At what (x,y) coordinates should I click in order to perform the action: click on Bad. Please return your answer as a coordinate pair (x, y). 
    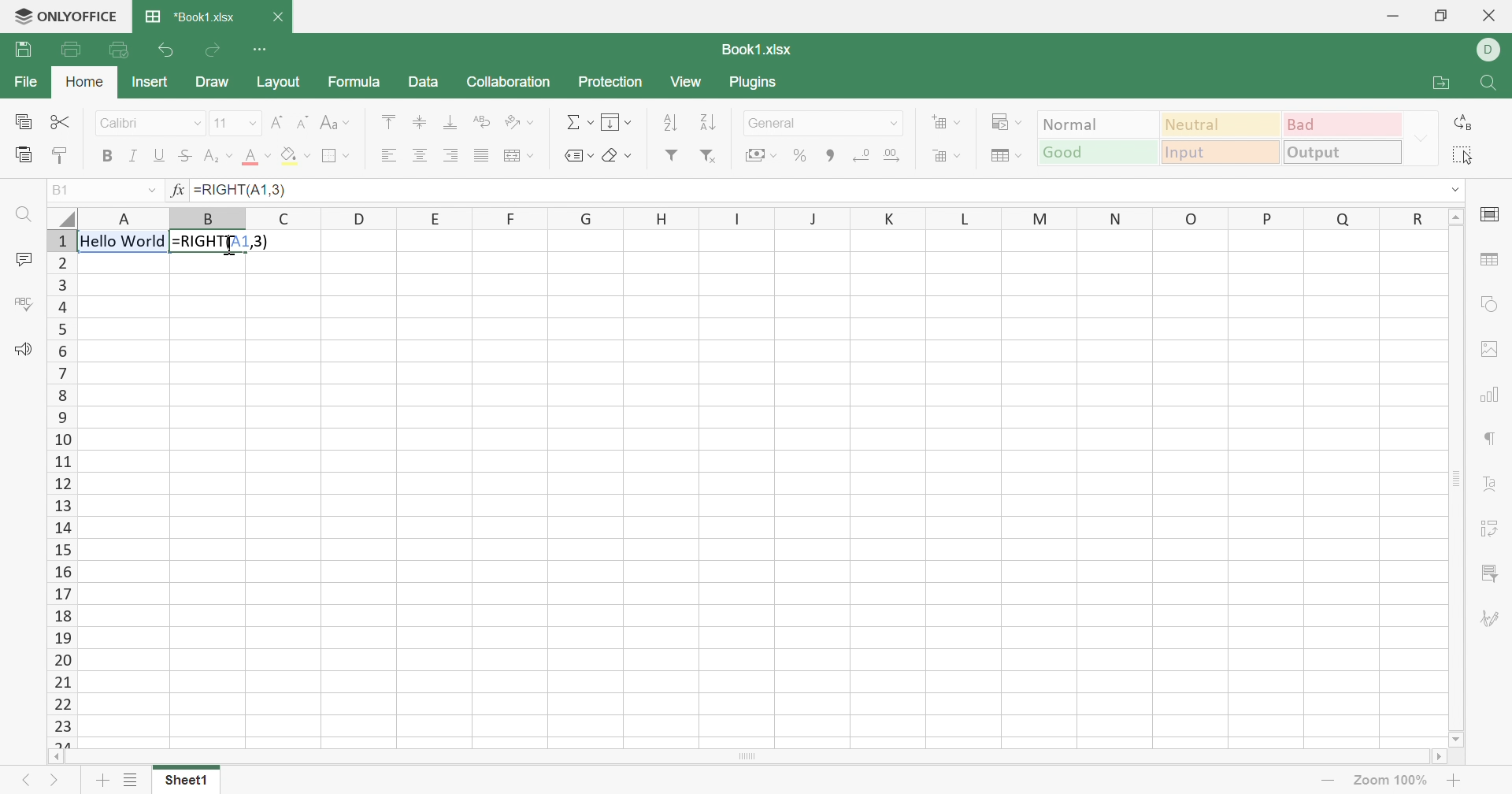
    Looking at the image, I should click on (1340, 125).